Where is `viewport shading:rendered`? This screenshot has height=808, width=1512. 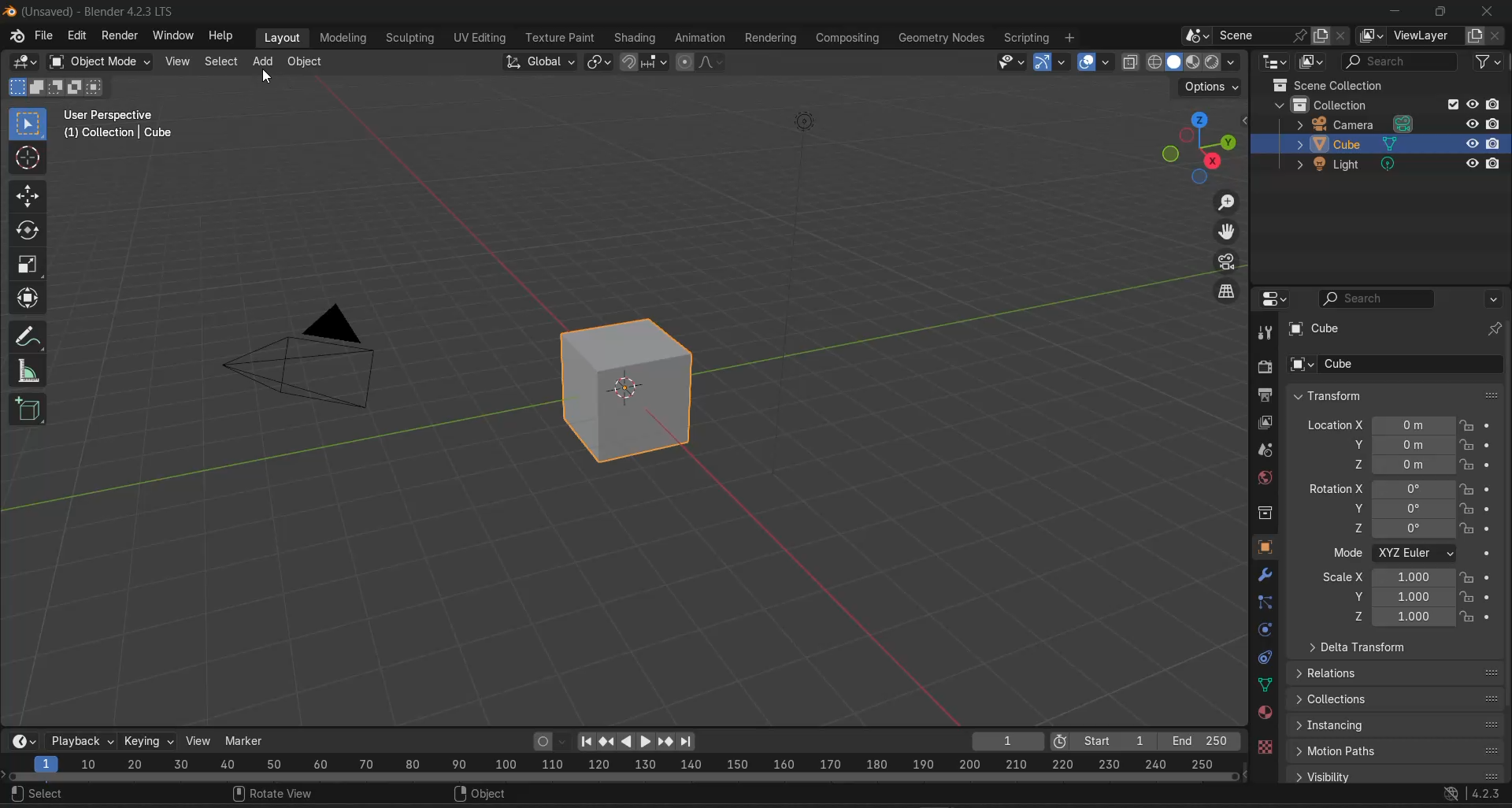 viewport shading:rendered is located at coordinates (1211, 61).